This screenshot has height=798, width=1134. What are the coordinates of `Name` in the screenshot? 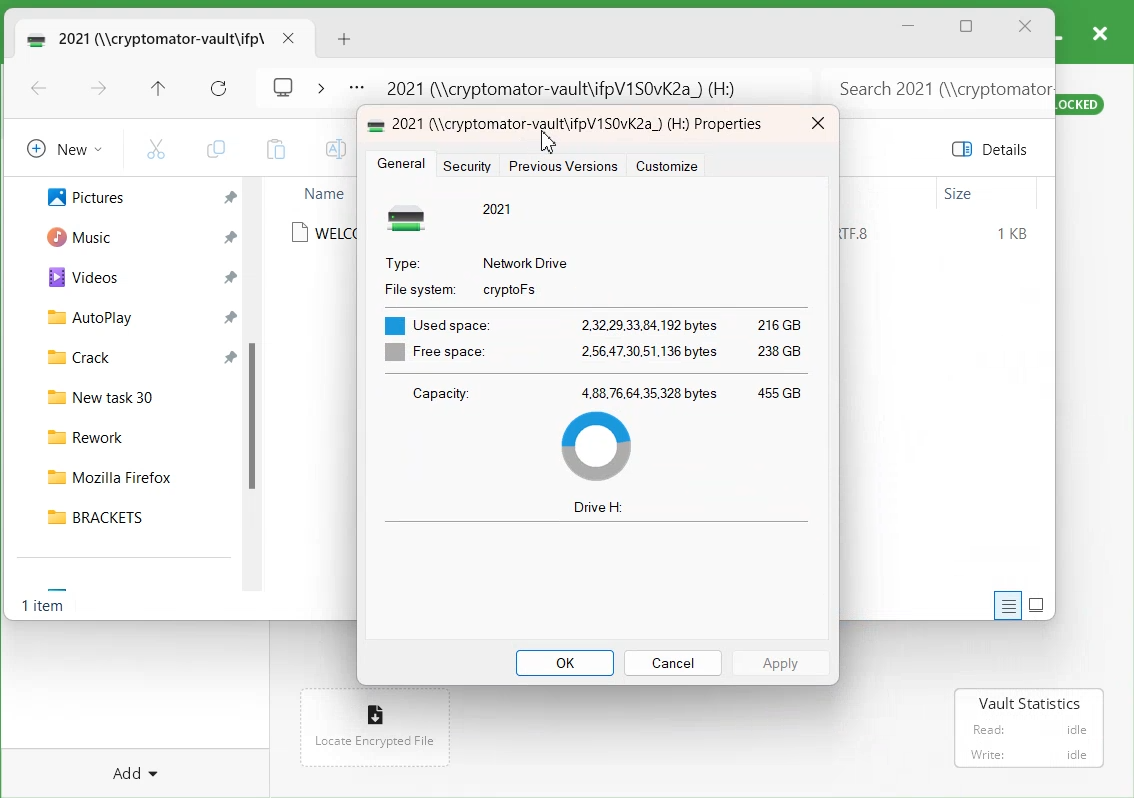 It's located at (323, 193).